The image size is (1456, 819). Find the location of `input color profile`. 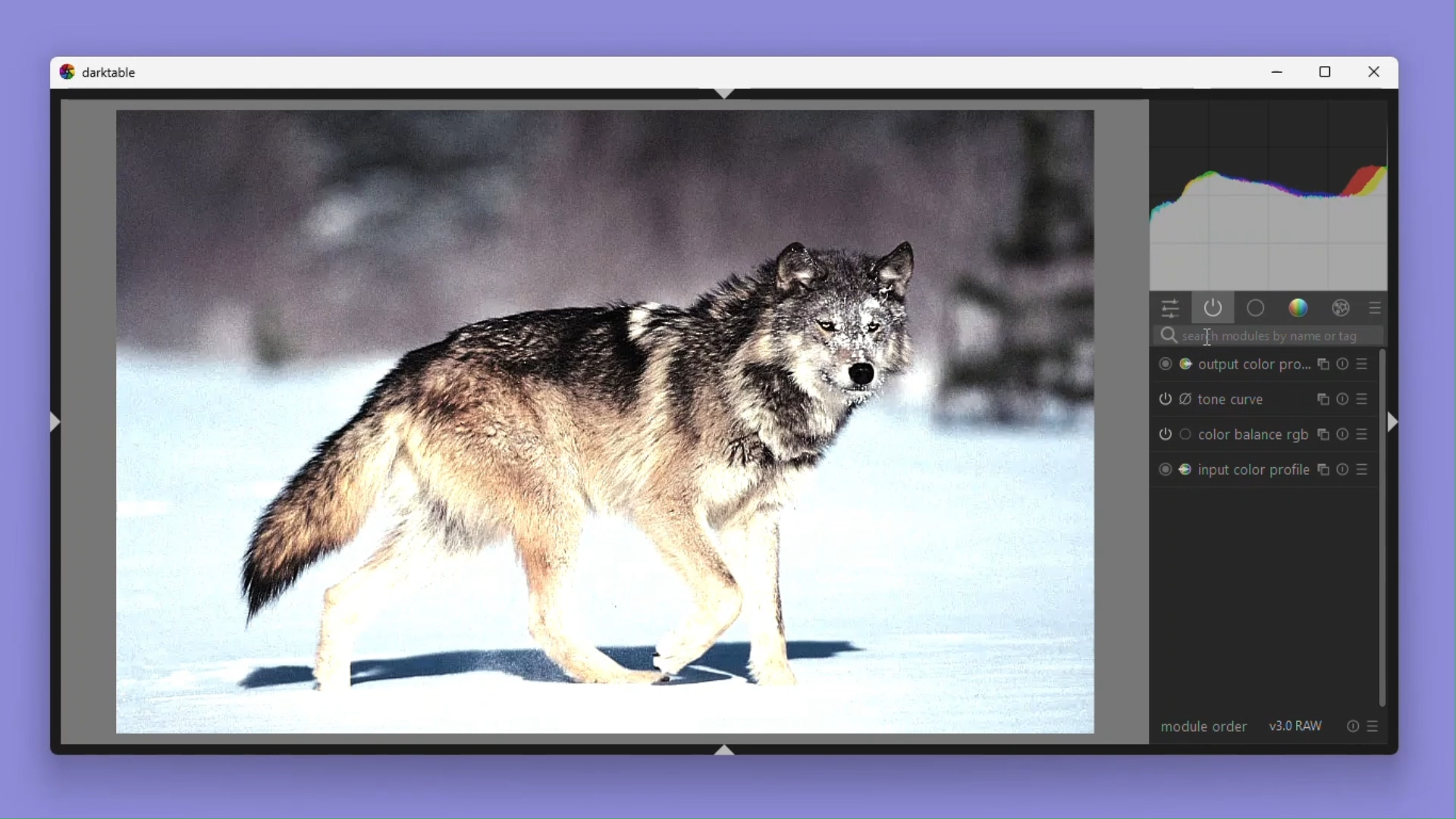

input color profile is located at coordinates (1232, 466).